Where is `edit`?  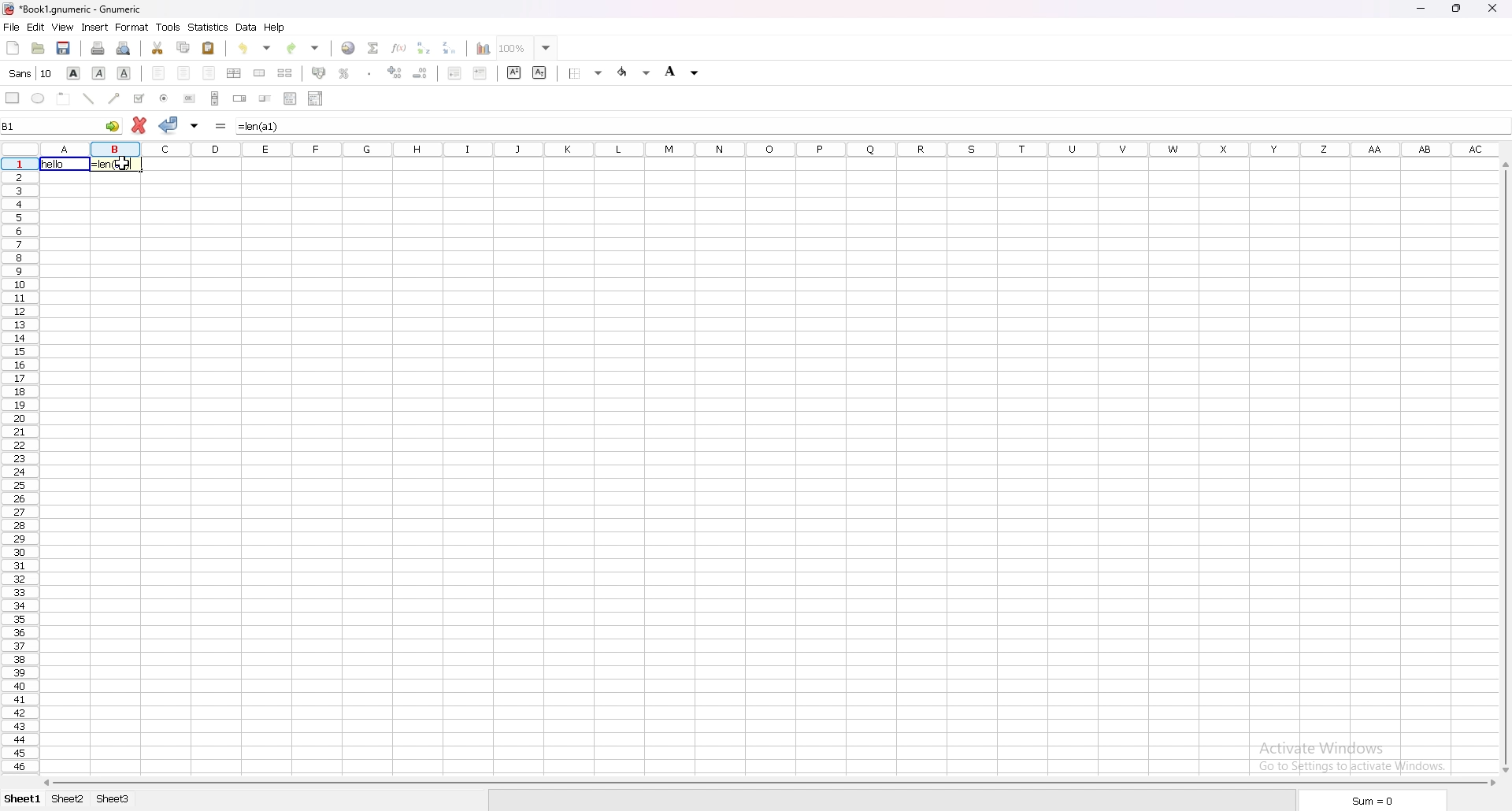
edit is located at coordinates (35, 28).